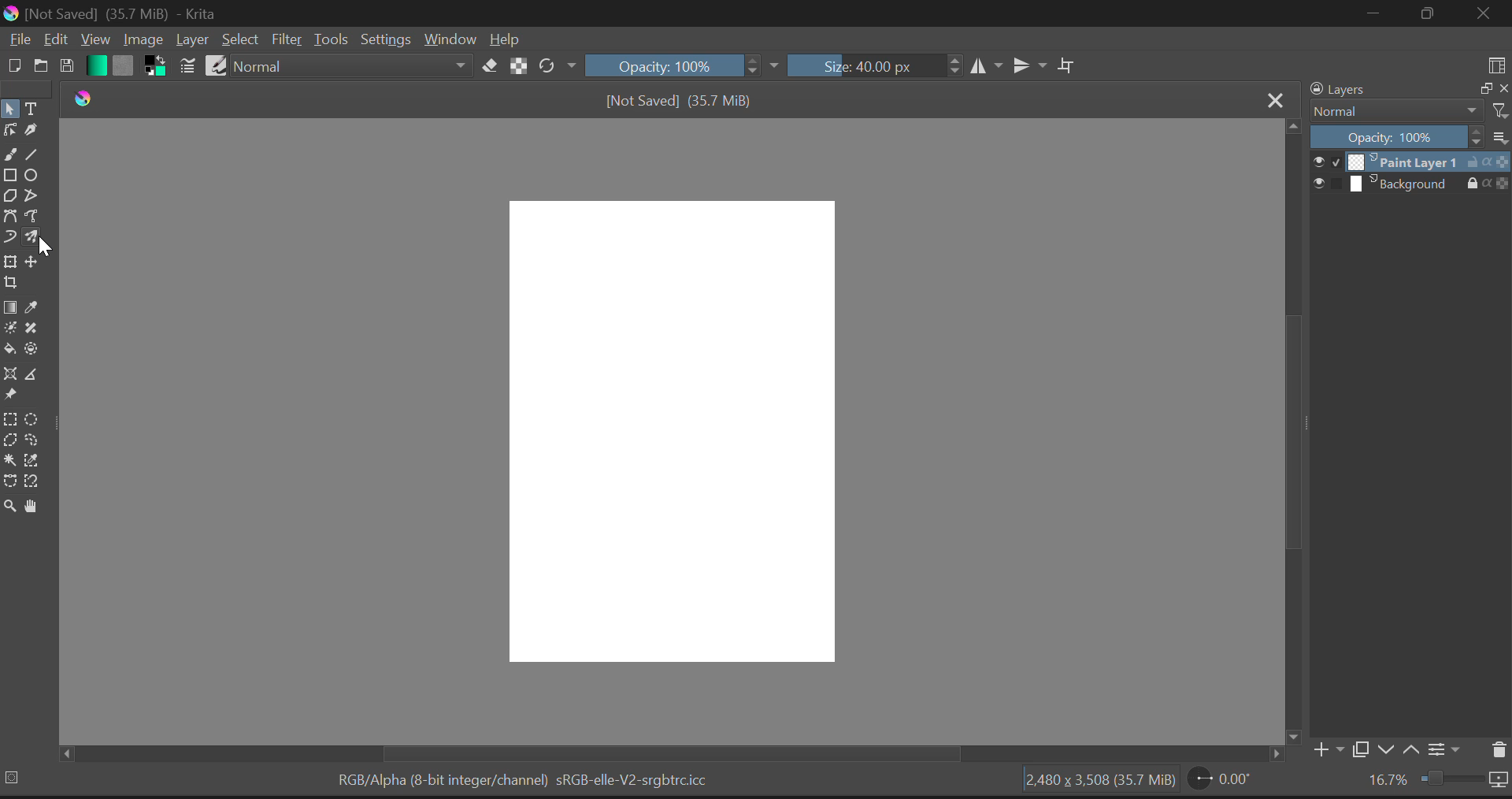 Image resolution: width=1512 pixels, height=799 pixels. What do you see at coordinates (875, 66) in the screenshot?
I see `Size: 40.00 px` at bounding box center [875, 66].